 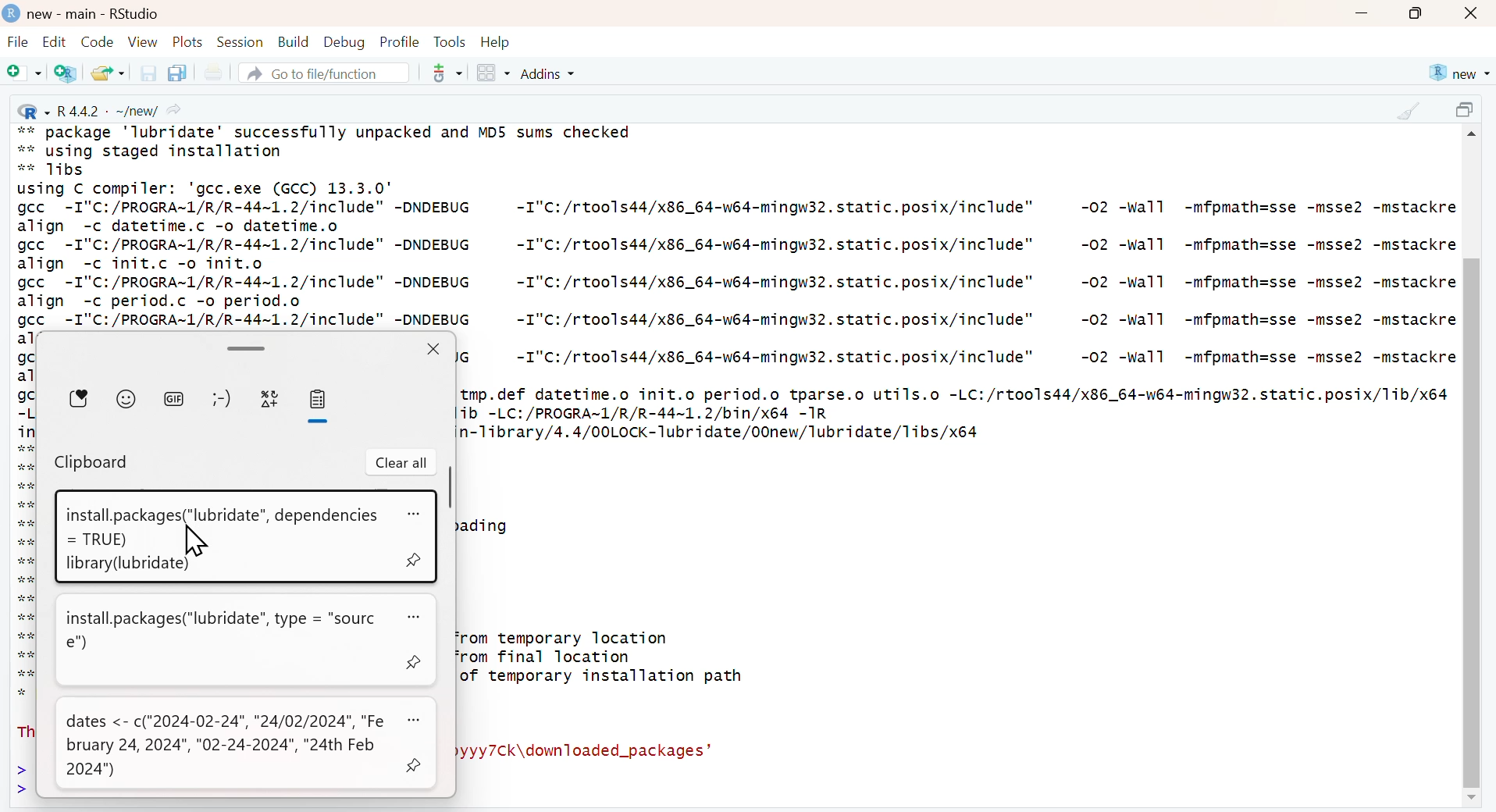 I want to click on Addins, so click(x=550, y=73).